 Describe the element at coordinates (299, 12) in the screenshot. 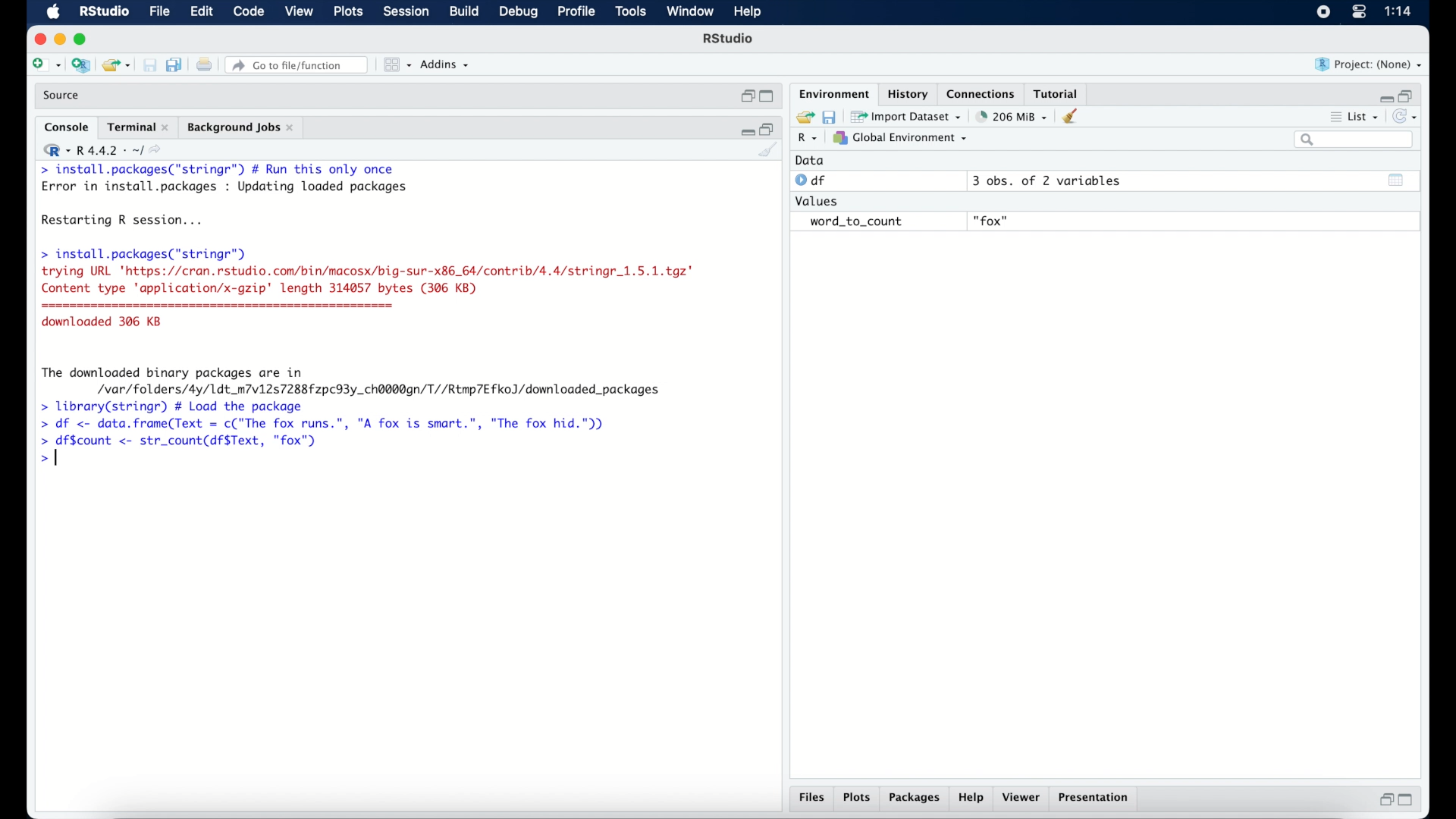

I see `view` at that location.